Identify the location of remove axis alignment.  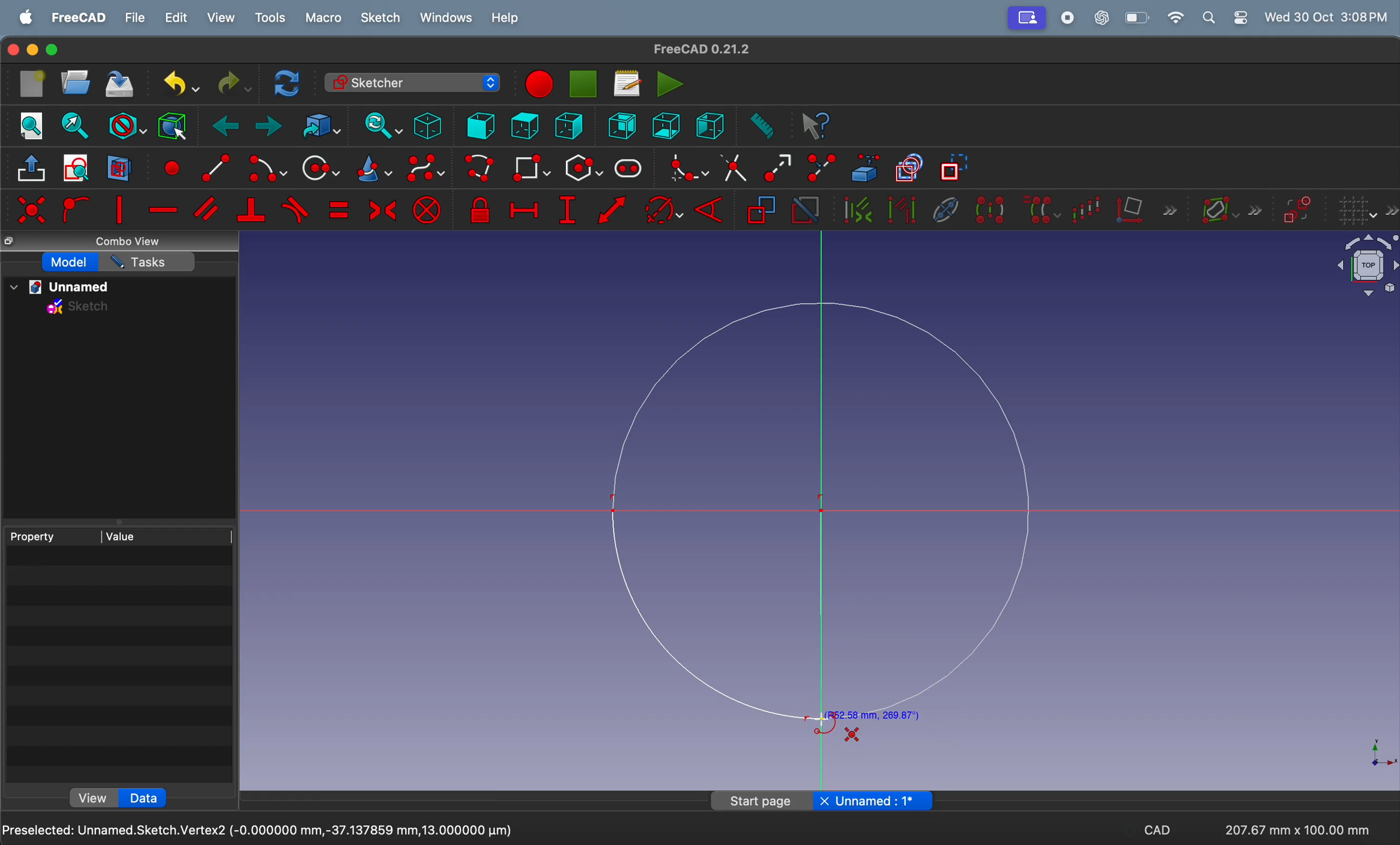
(1147, 209).